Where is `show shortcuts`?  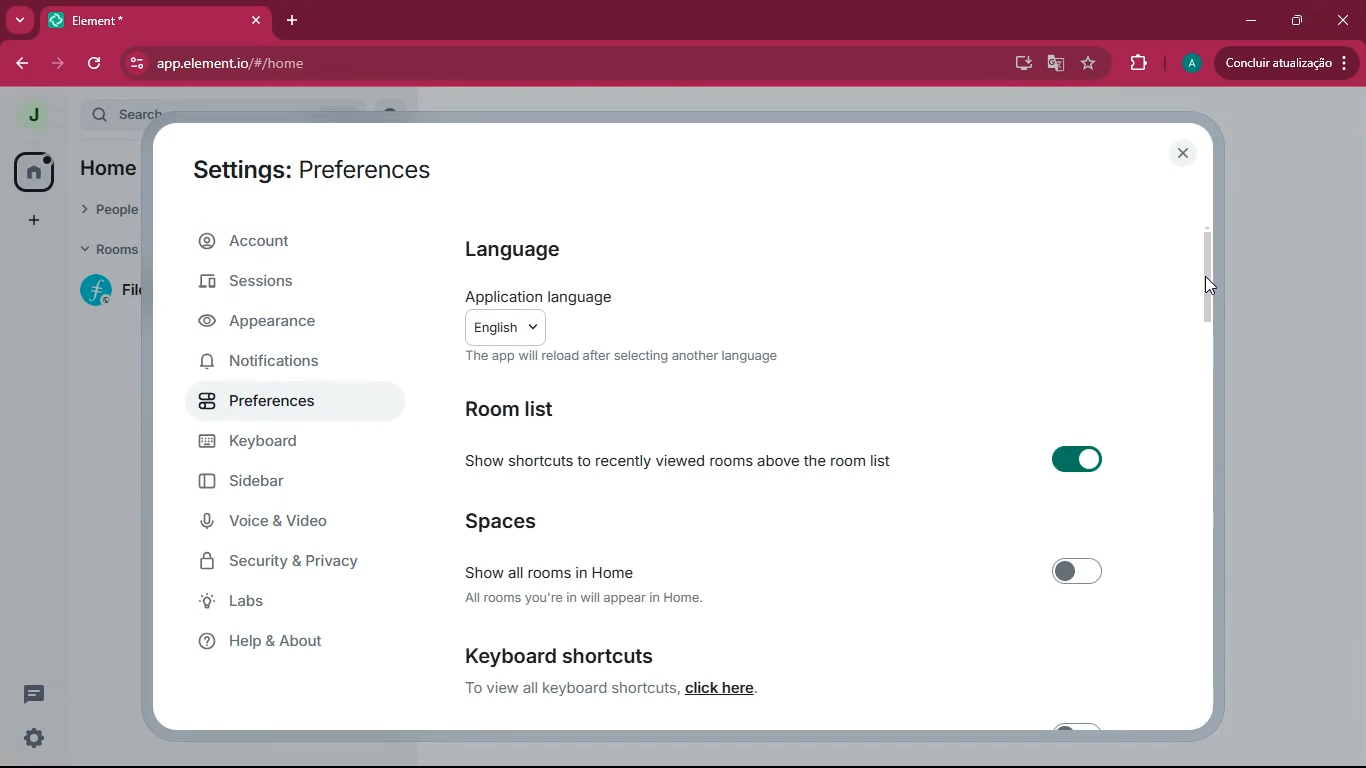 show shortcuts is located at coordinates (792, 459).